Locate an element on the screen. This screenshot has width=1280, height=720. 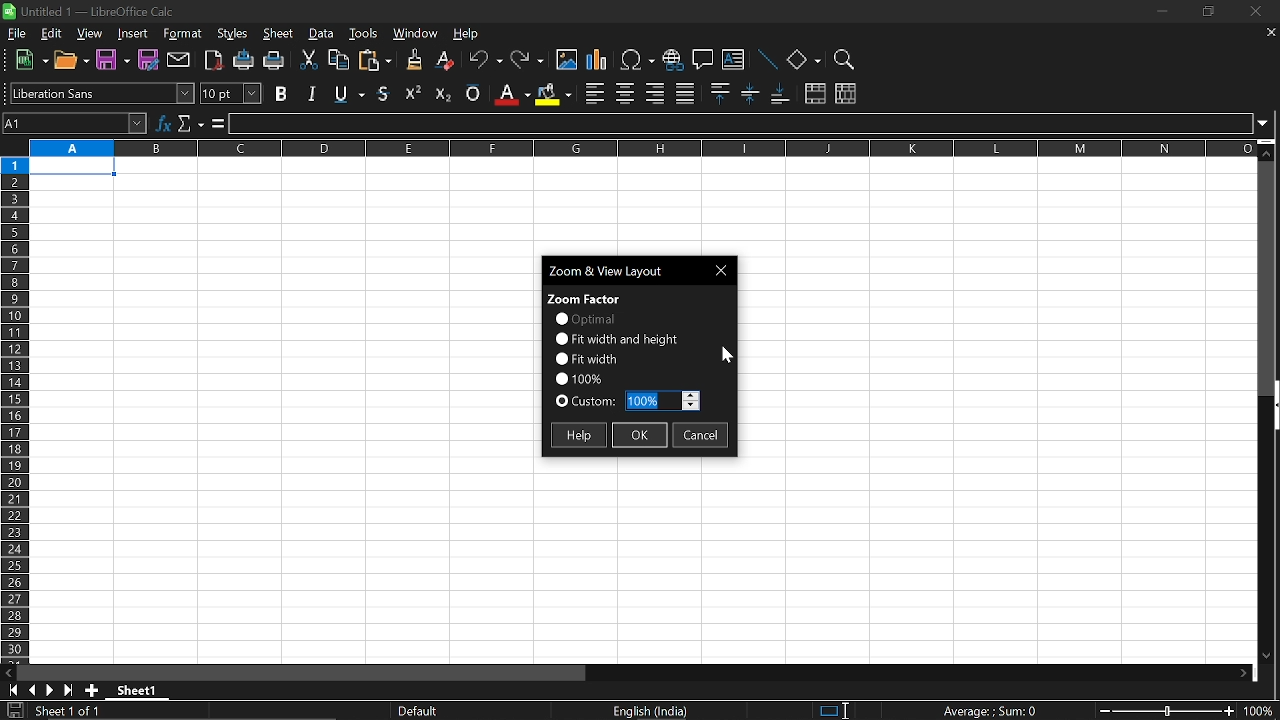
zoom factor is located at coordinates (585, 297).